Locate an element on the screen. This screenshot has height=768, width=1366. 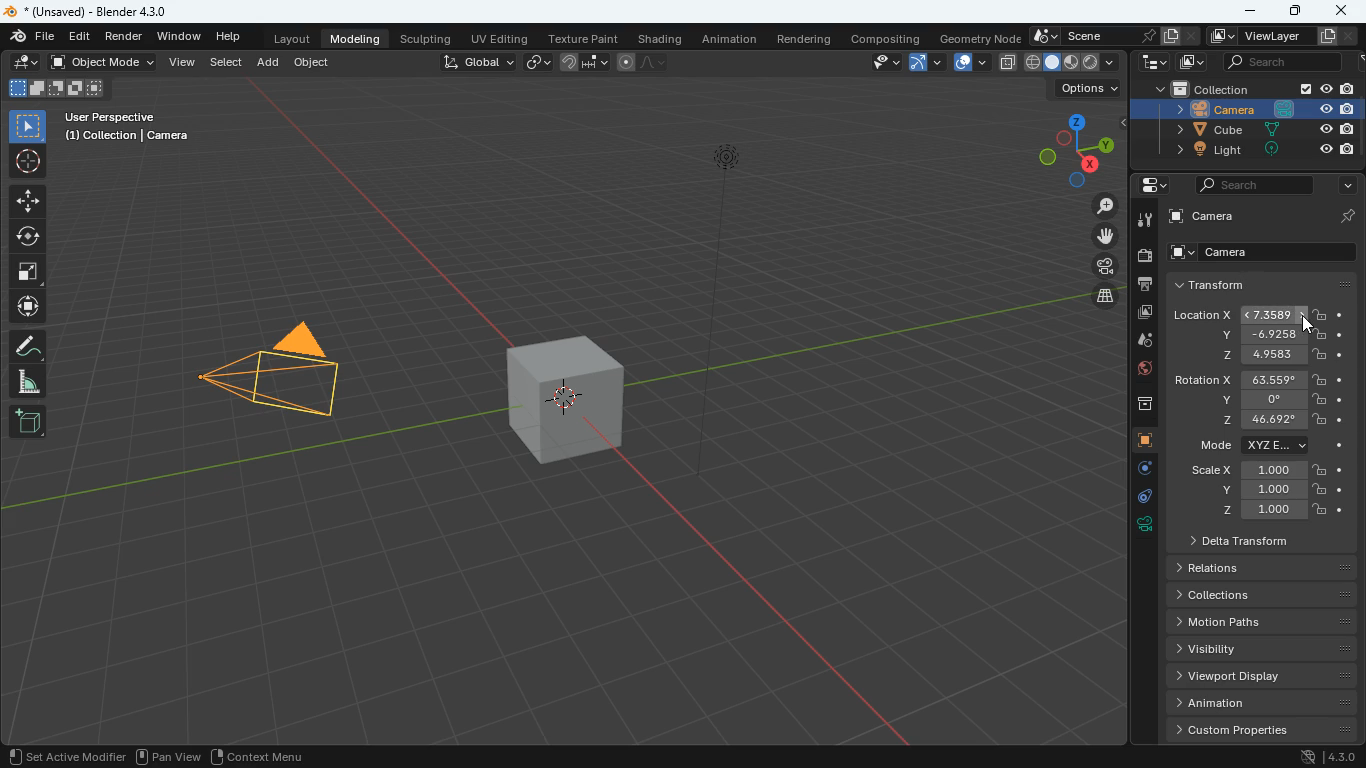
z is located at coordinates (1275, 513).